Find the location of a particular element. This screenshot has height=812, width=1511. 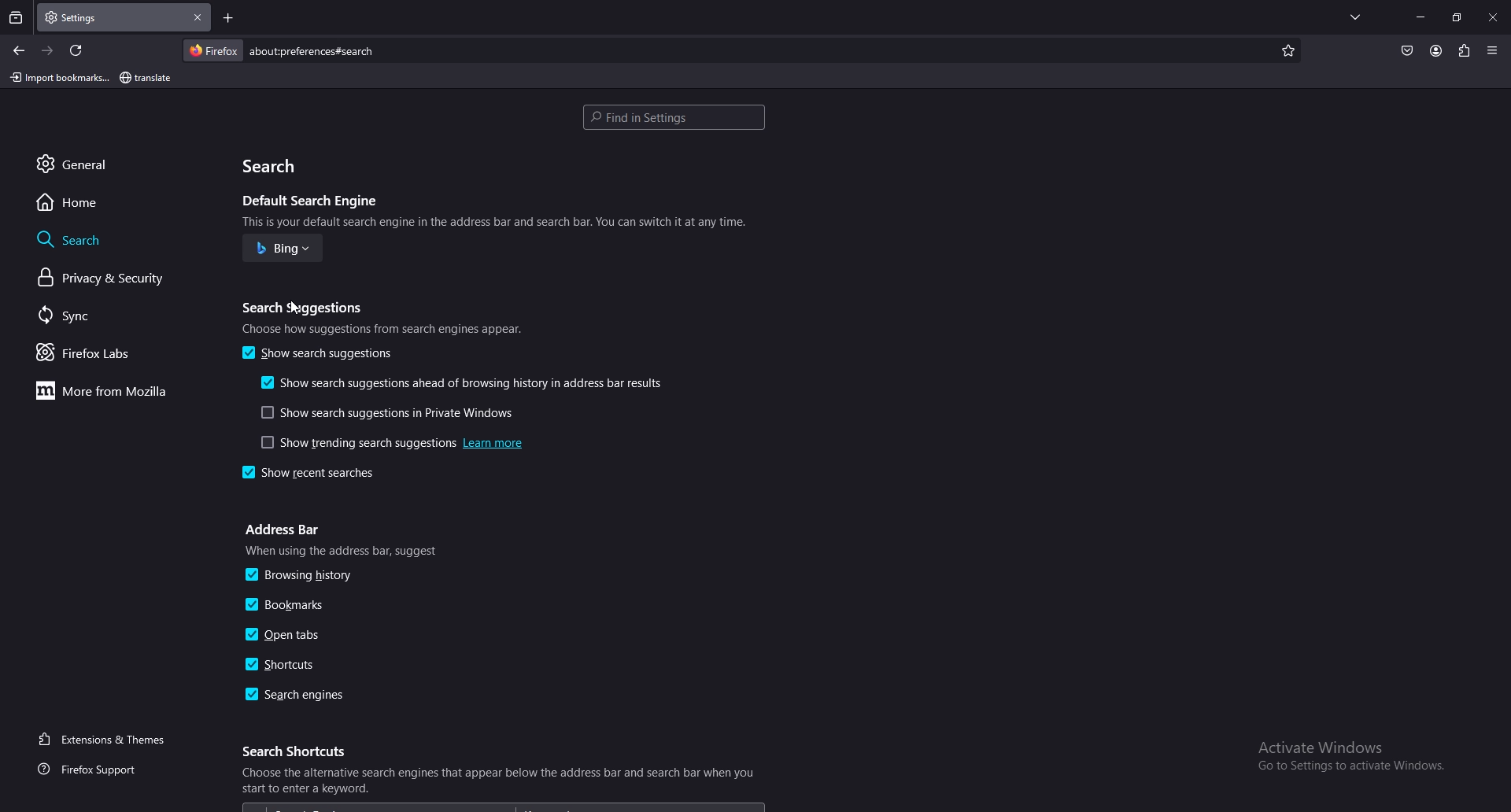

more from mozilla is located at coordinates (113, 391).